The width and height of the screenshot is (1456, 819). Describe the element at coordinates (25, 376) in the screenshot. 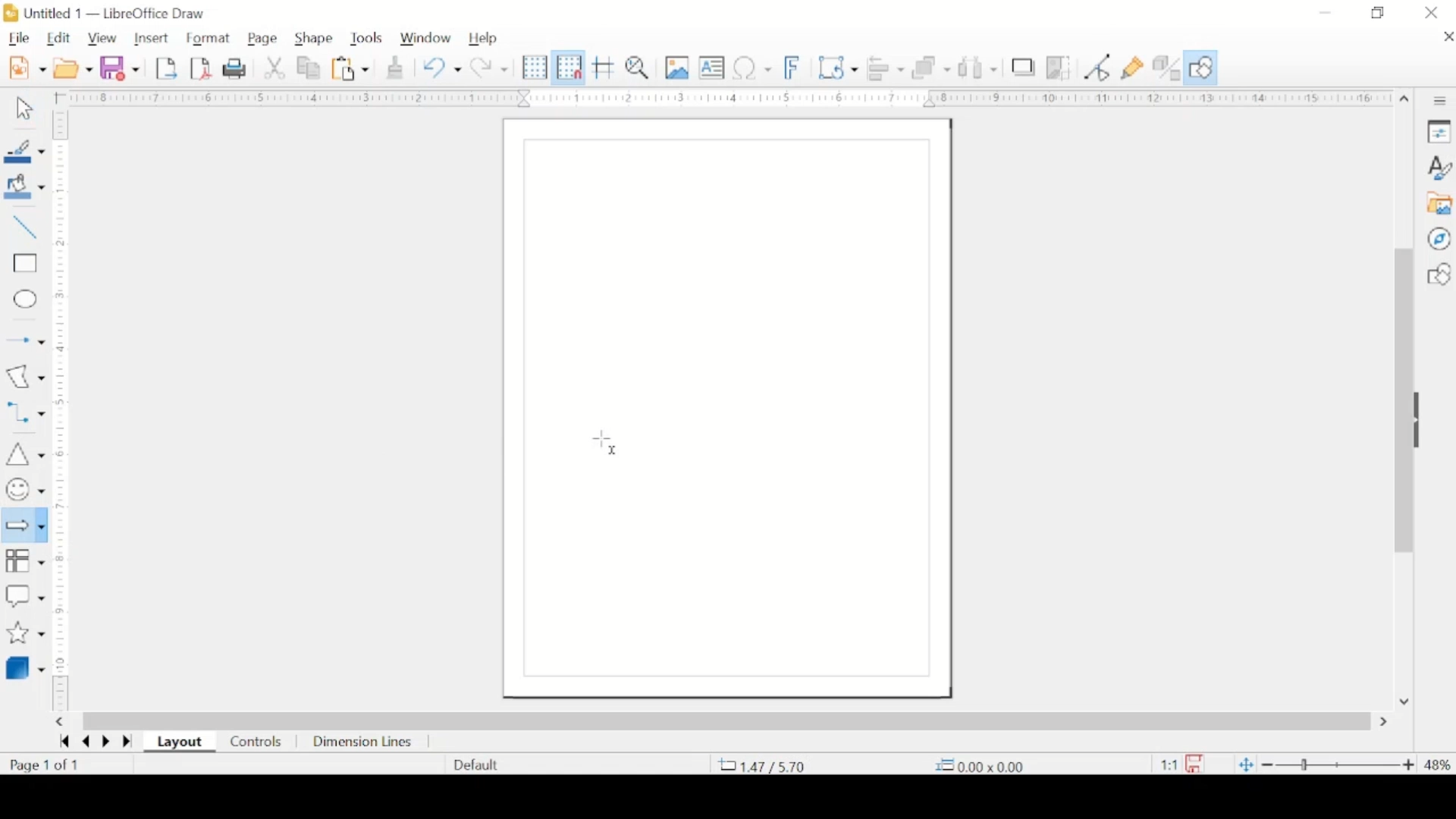

I see `insert curves & polygons` at that location.